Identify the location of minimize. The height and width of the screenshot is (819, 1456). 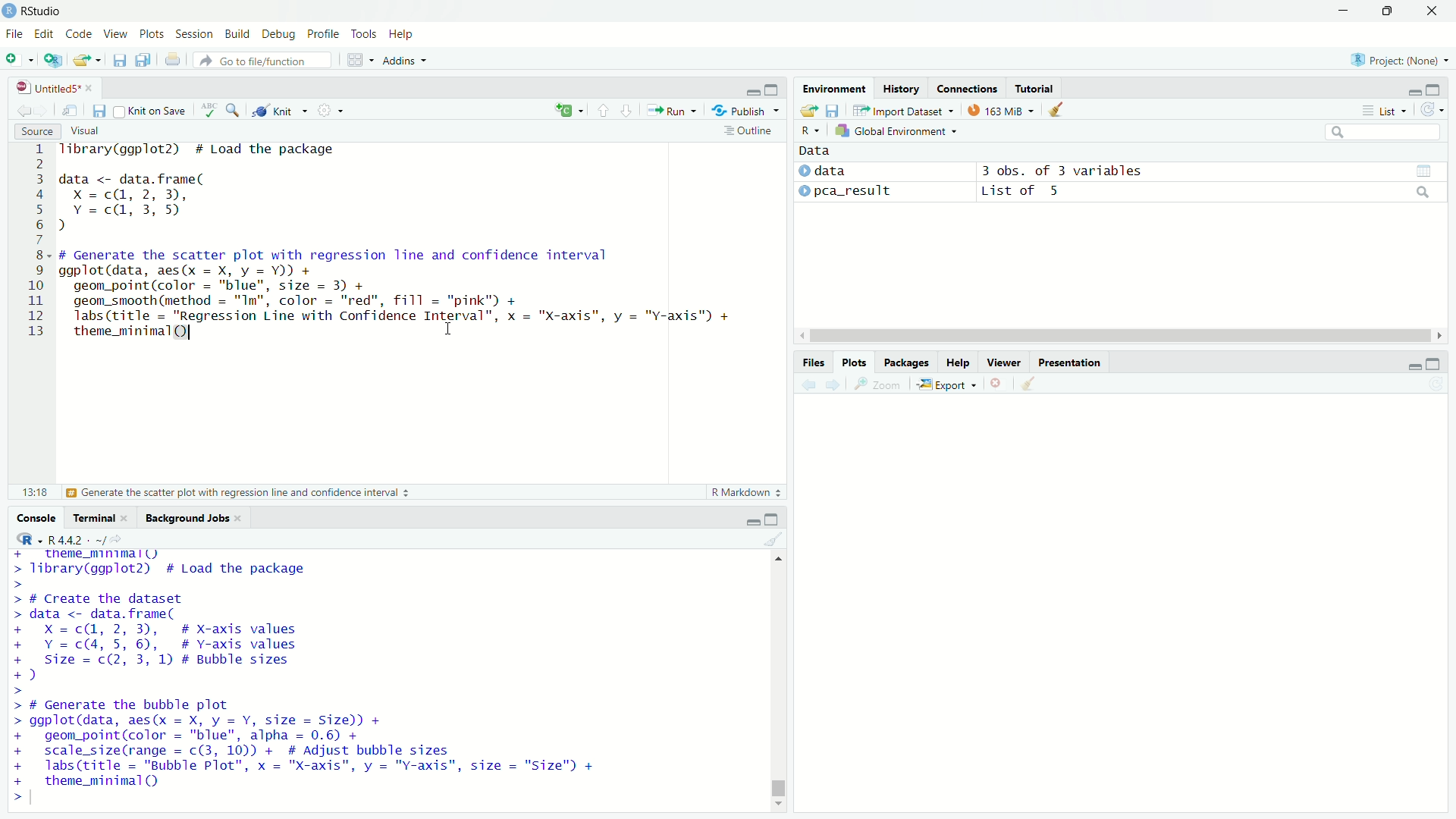
(1413, 91).